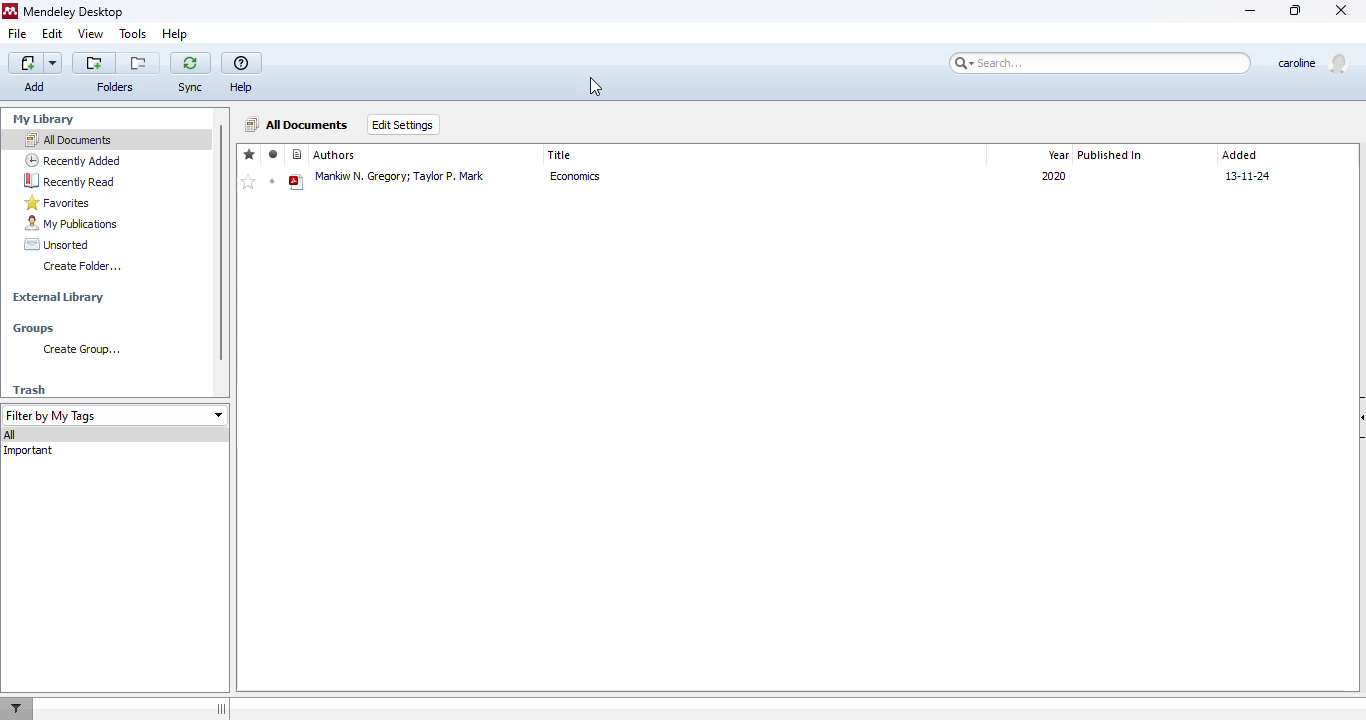  Describe the element at coordinates (17, 435) in the screenshot. I see `all` at that location.